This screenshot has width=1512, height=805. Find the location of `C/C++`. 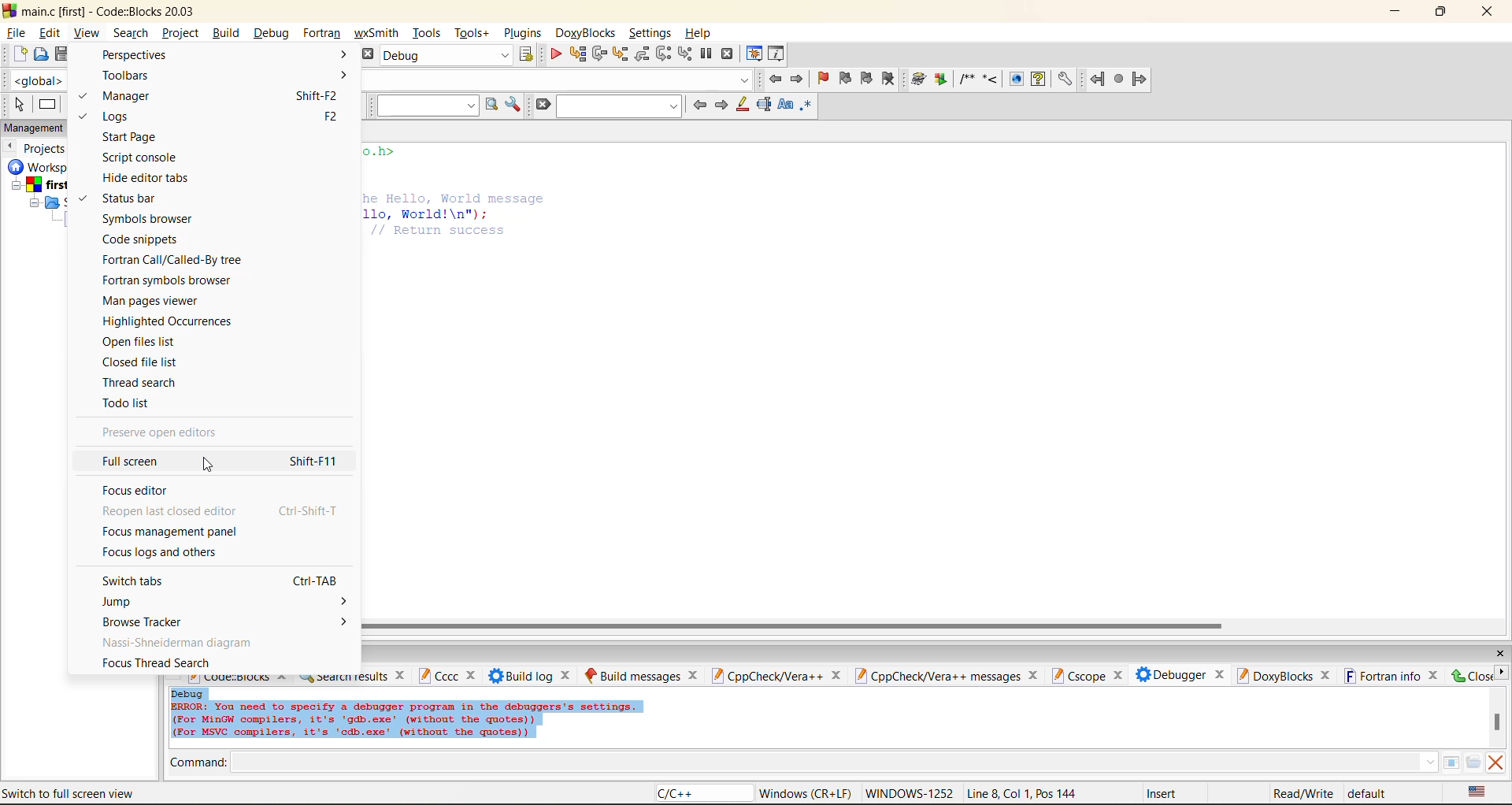

C/C++ is located at coordinates (684, 794).